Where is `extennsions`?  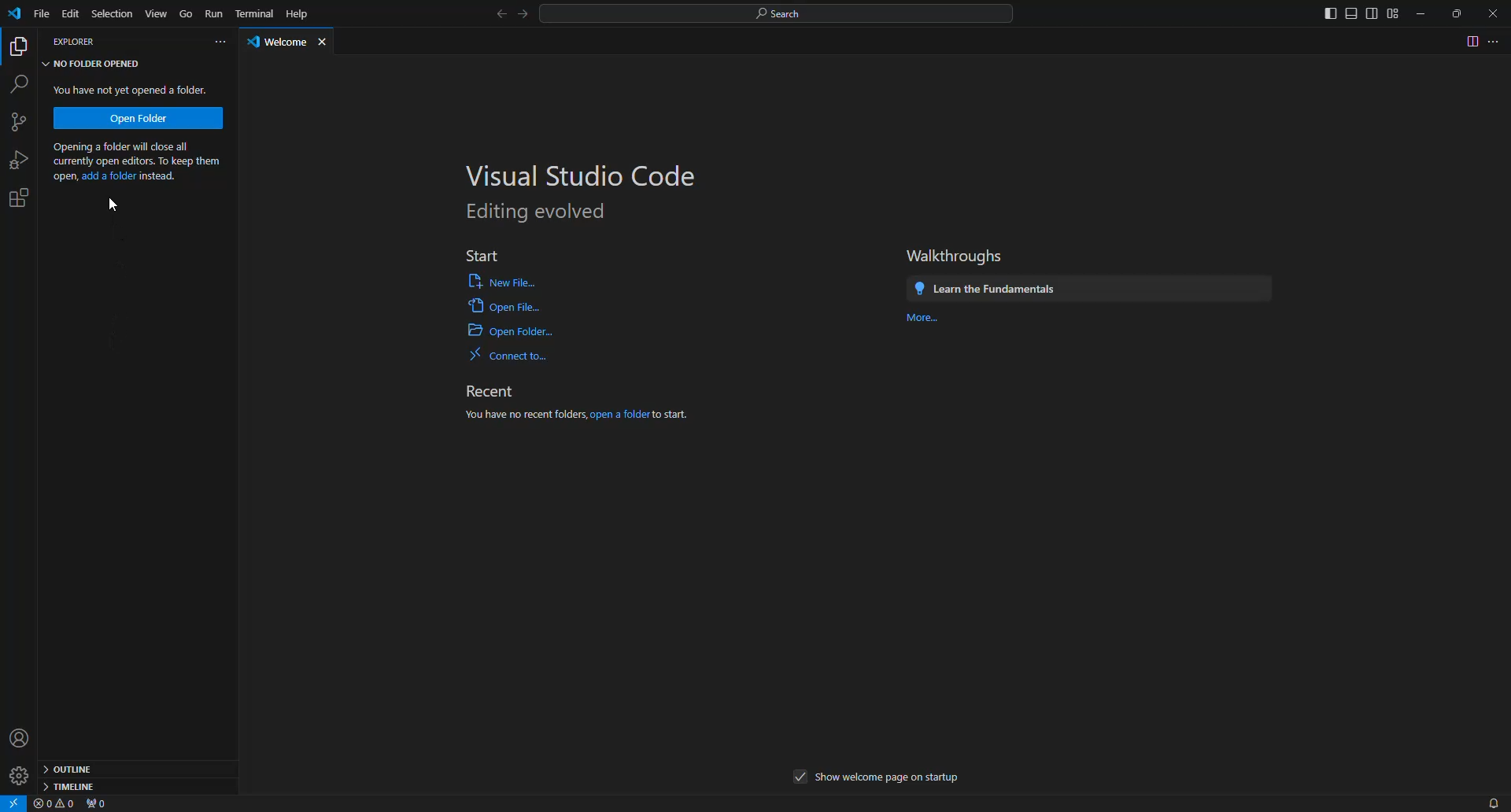 extennsions is located at coordinates (24, 197).